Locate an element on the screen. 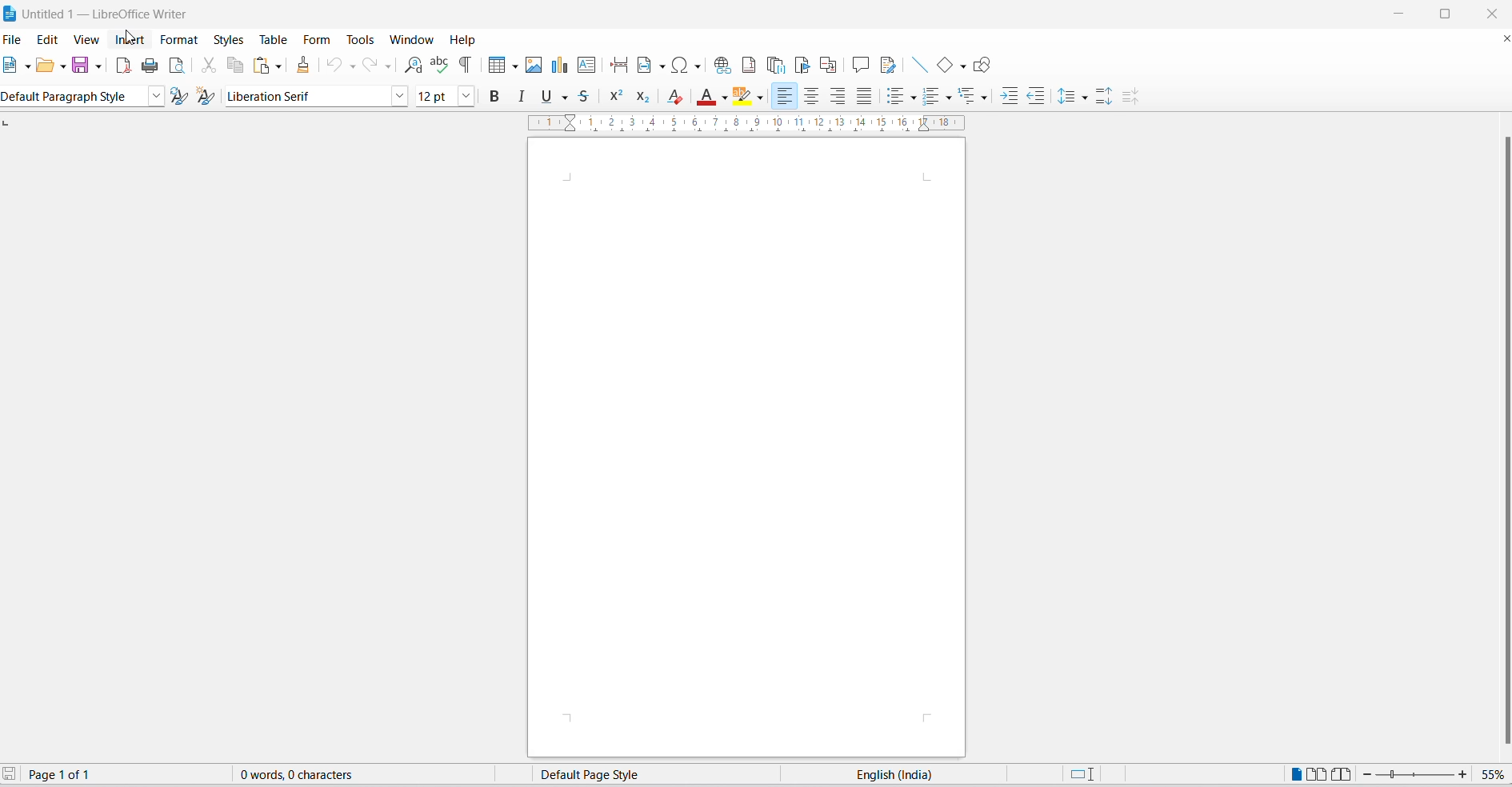  zoom slider is located at coordinates (1417, 776).